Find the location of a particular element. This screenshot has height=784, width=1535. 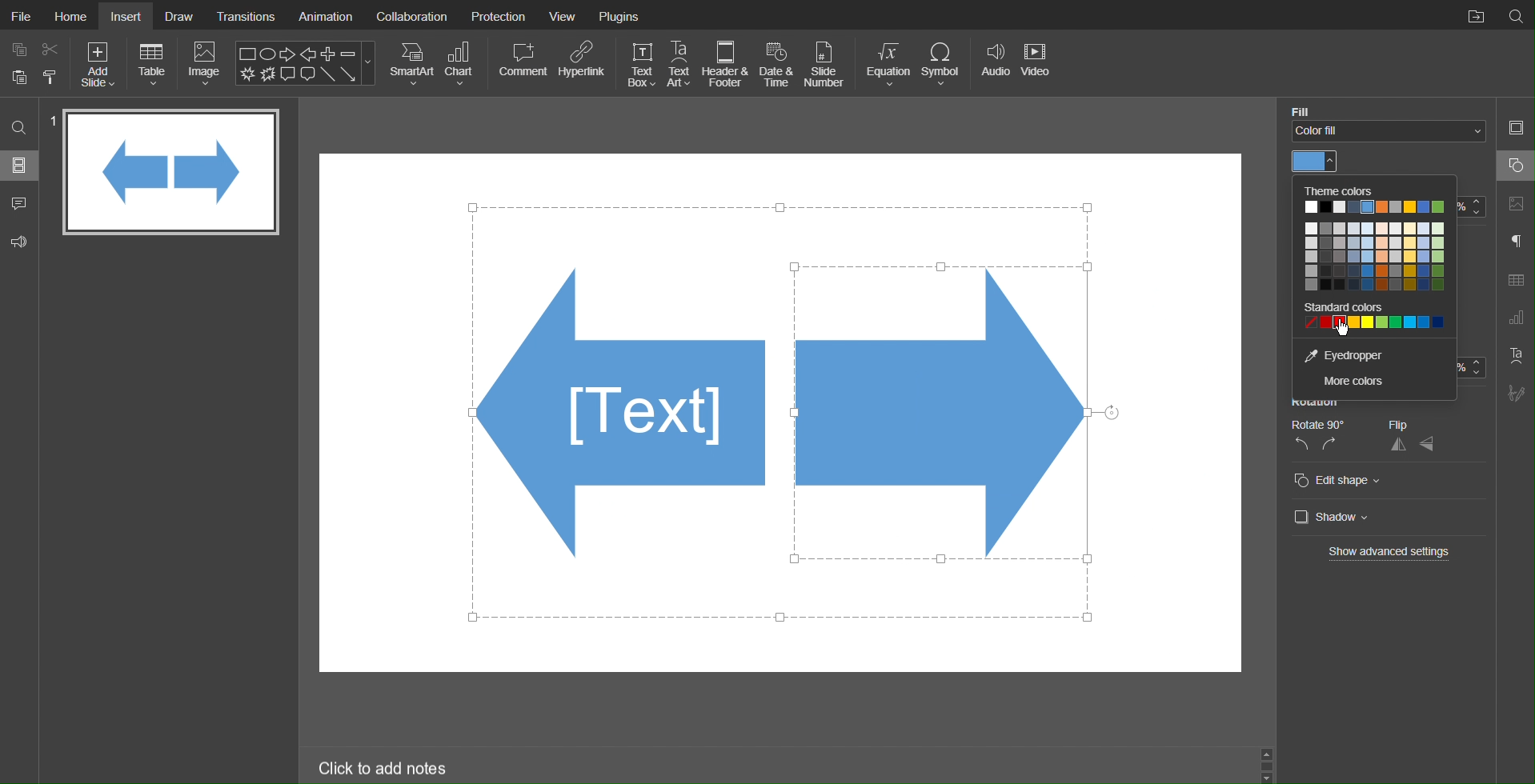

Video is located at coordinates (1038, 64).